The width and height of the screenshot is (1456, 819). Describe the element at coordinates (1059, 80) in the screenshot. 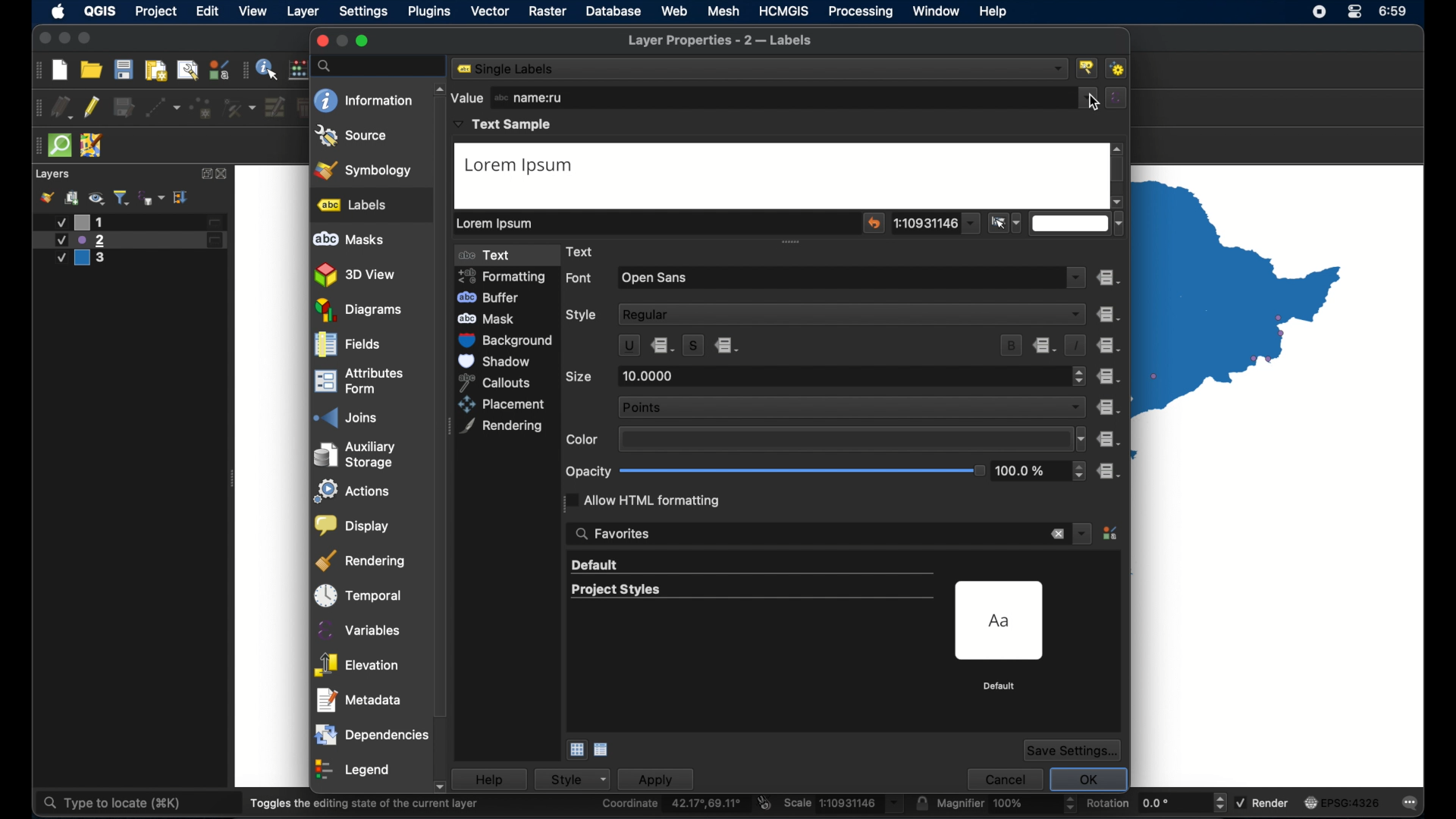

I see `cursor` at that location.